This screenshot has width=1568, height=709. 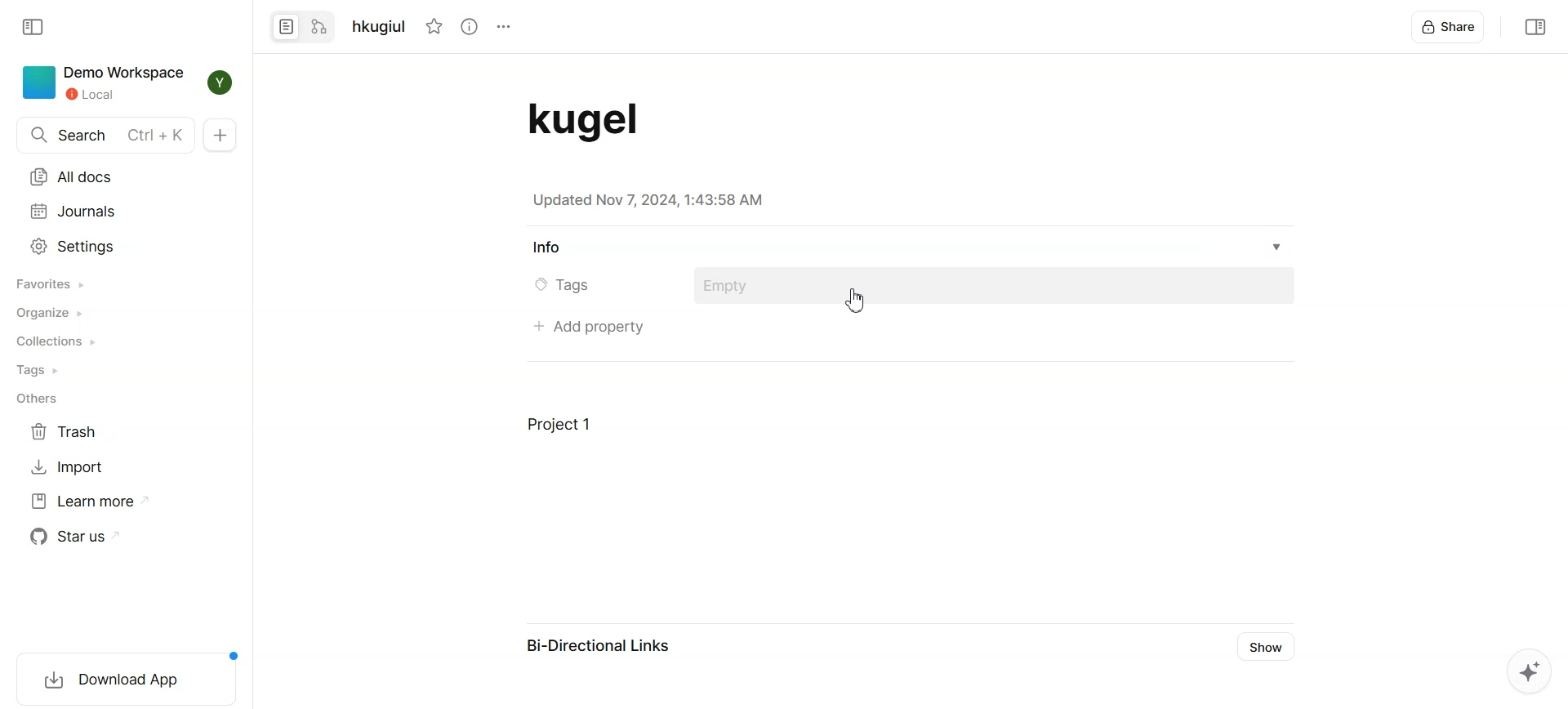 I want to click on Convert to page, so click(x=287, y=28).